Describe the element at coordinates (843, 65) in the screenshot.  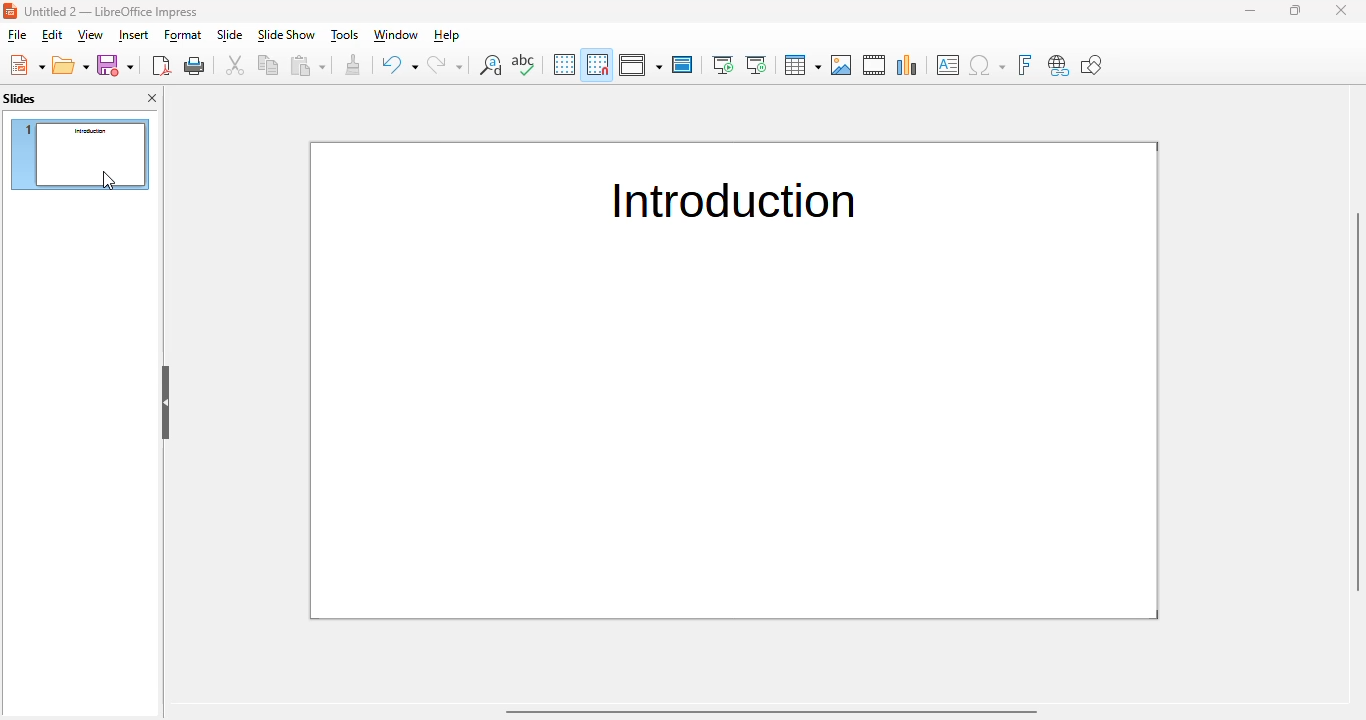
I see `insert image` at that location.